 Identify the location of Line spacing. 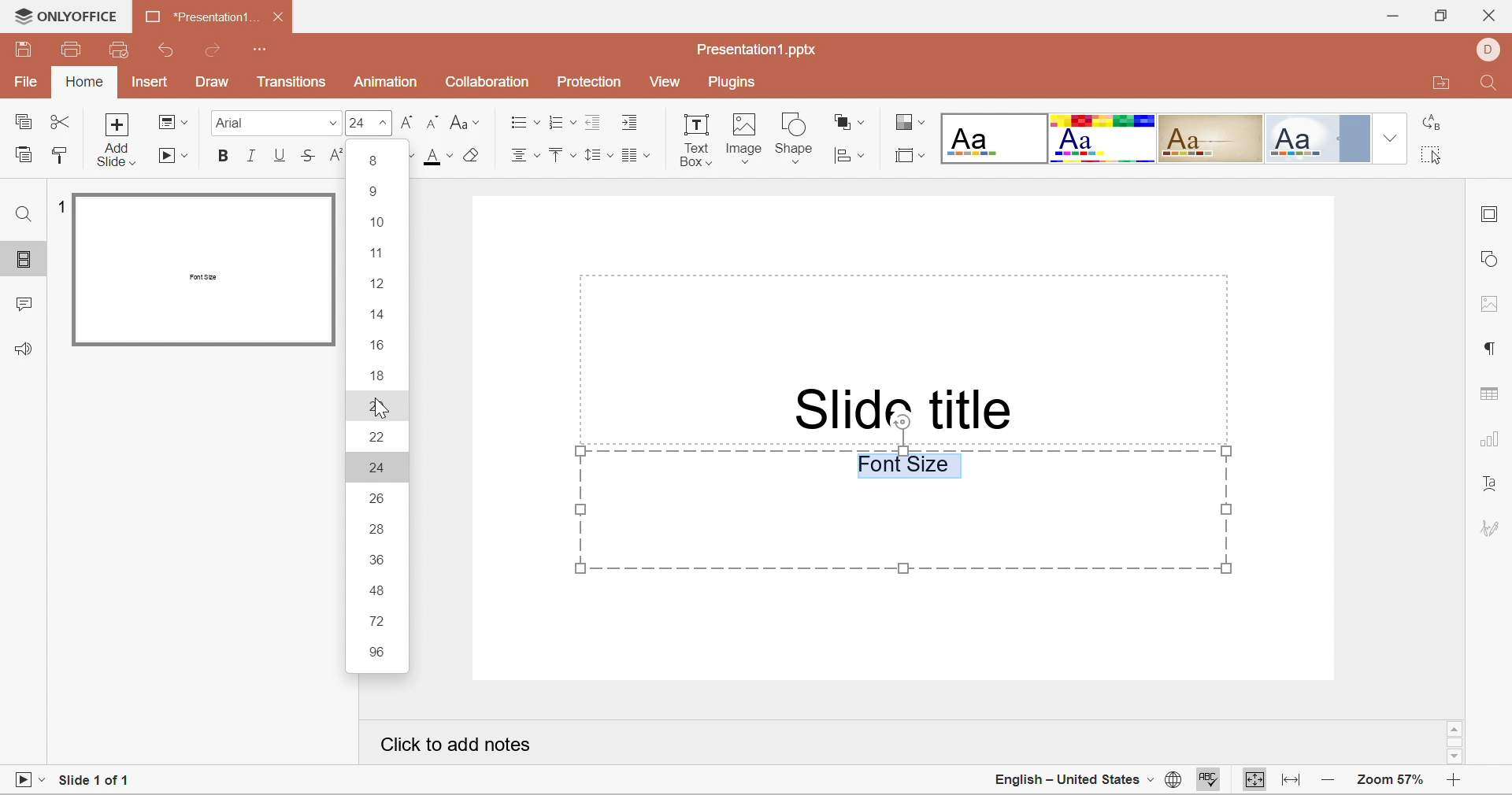
(596, 157).